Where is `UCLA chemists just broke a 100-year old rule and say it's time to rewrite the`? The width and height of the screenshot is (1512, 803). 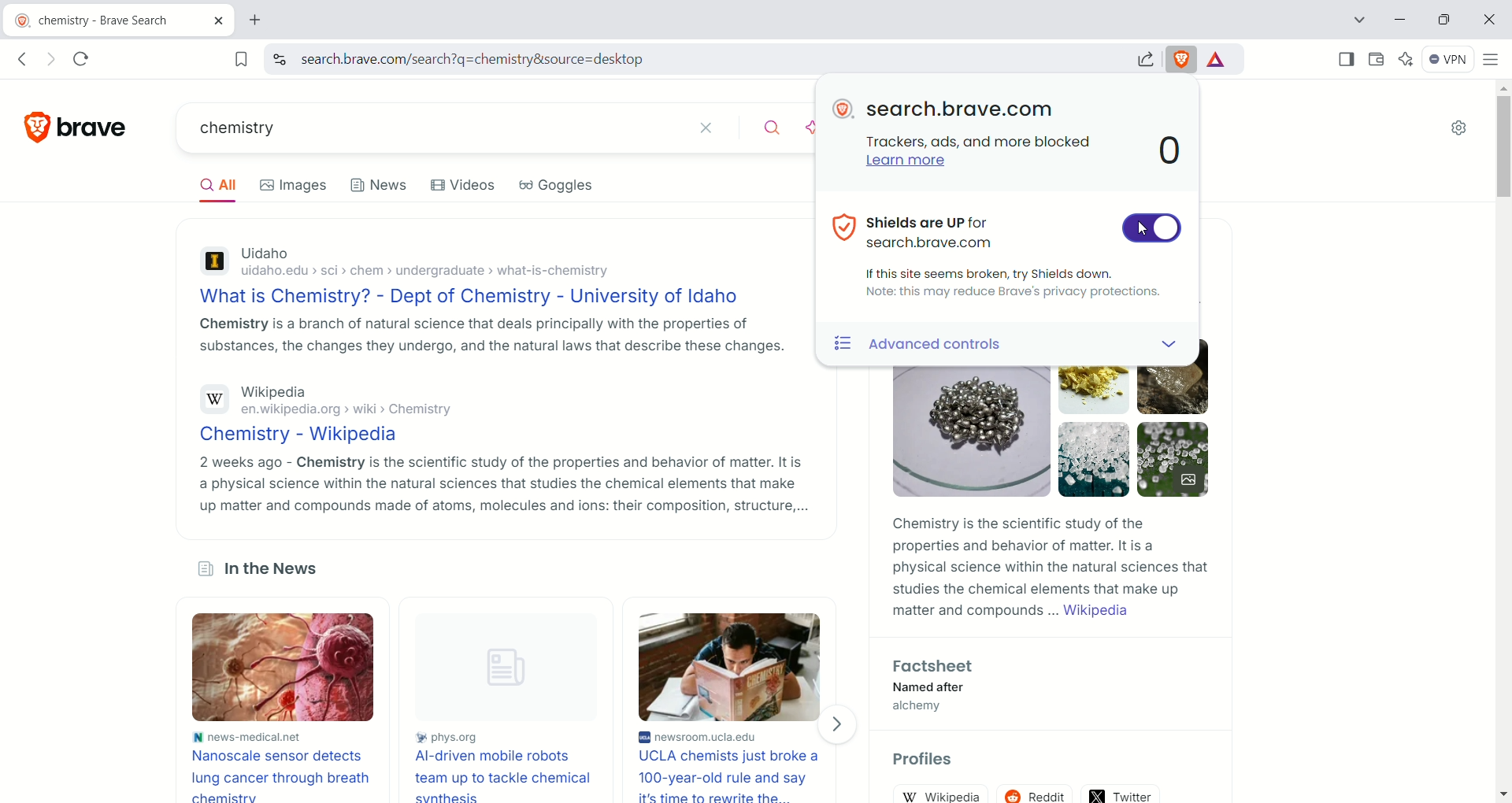
UCLA chemists just broke a 100-year old rule and say it's time to rewrite the is located at coordinates (734, 776).